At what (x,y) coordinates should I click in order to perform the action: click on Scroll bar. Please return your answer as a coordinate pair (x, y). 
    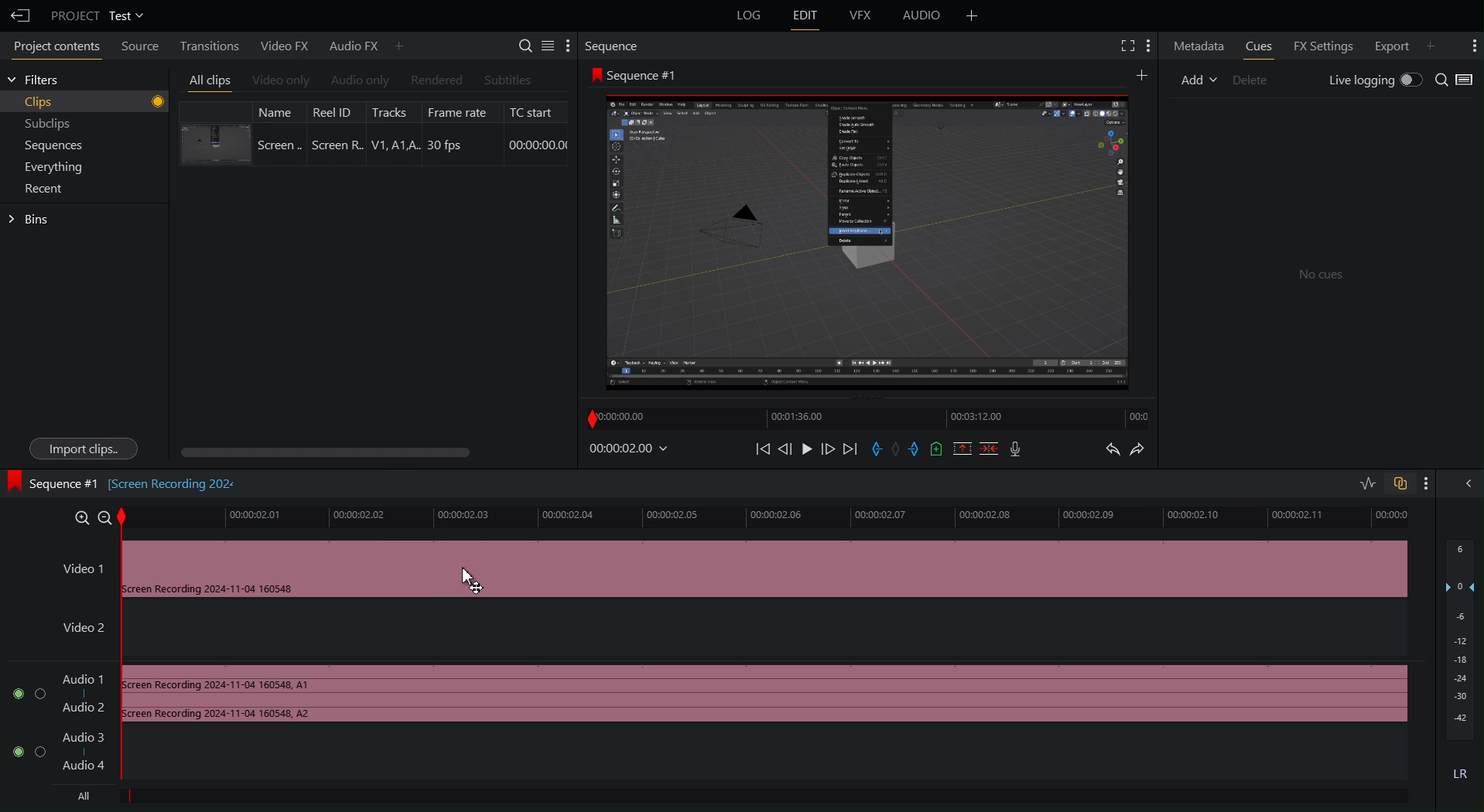
    Looking at the image, I should click on (333, 449).